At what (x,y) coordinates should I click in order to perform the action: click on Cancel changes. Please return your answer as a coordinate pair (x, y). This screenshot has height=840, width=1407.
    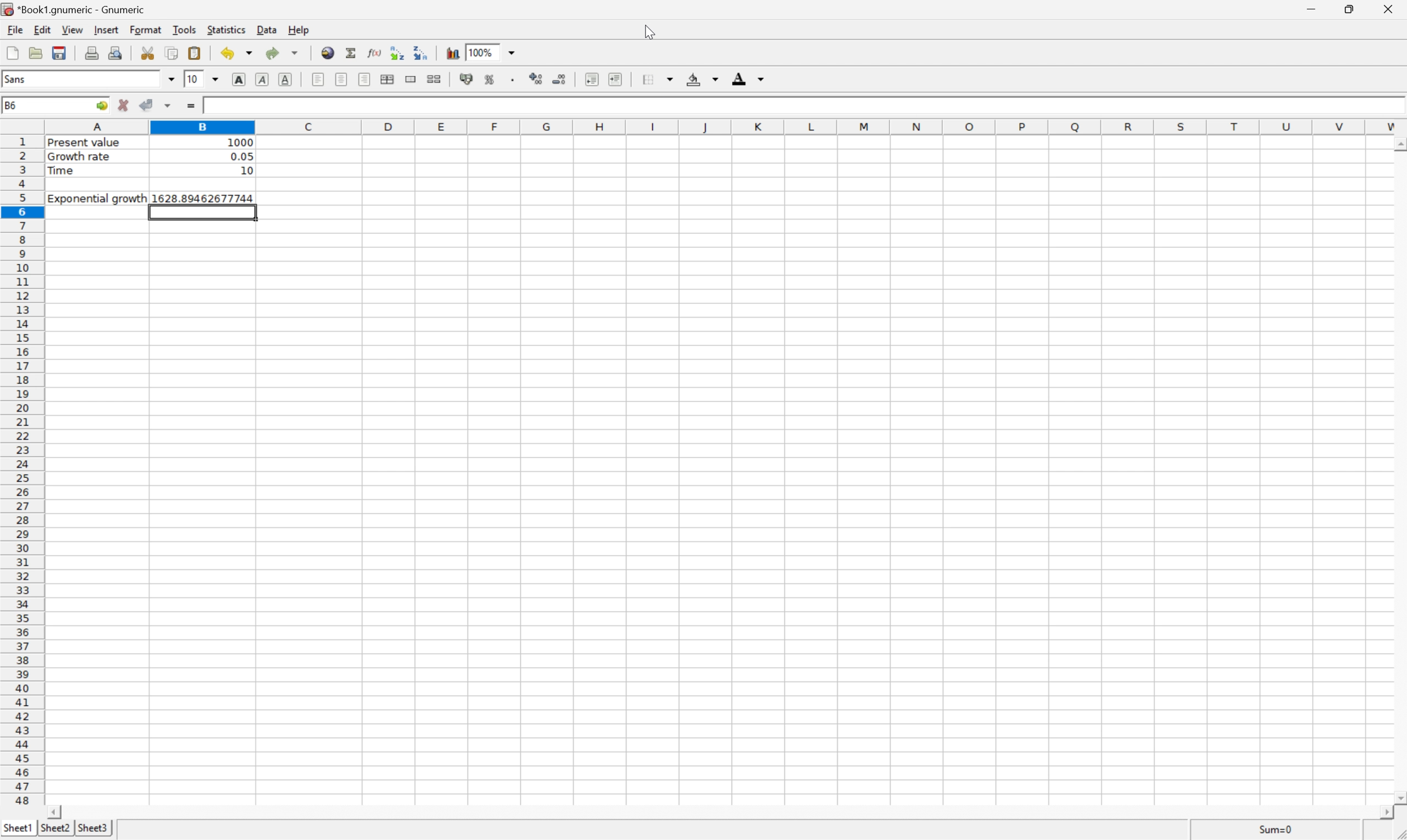
    Looking at the image, I should click on (124, 104).